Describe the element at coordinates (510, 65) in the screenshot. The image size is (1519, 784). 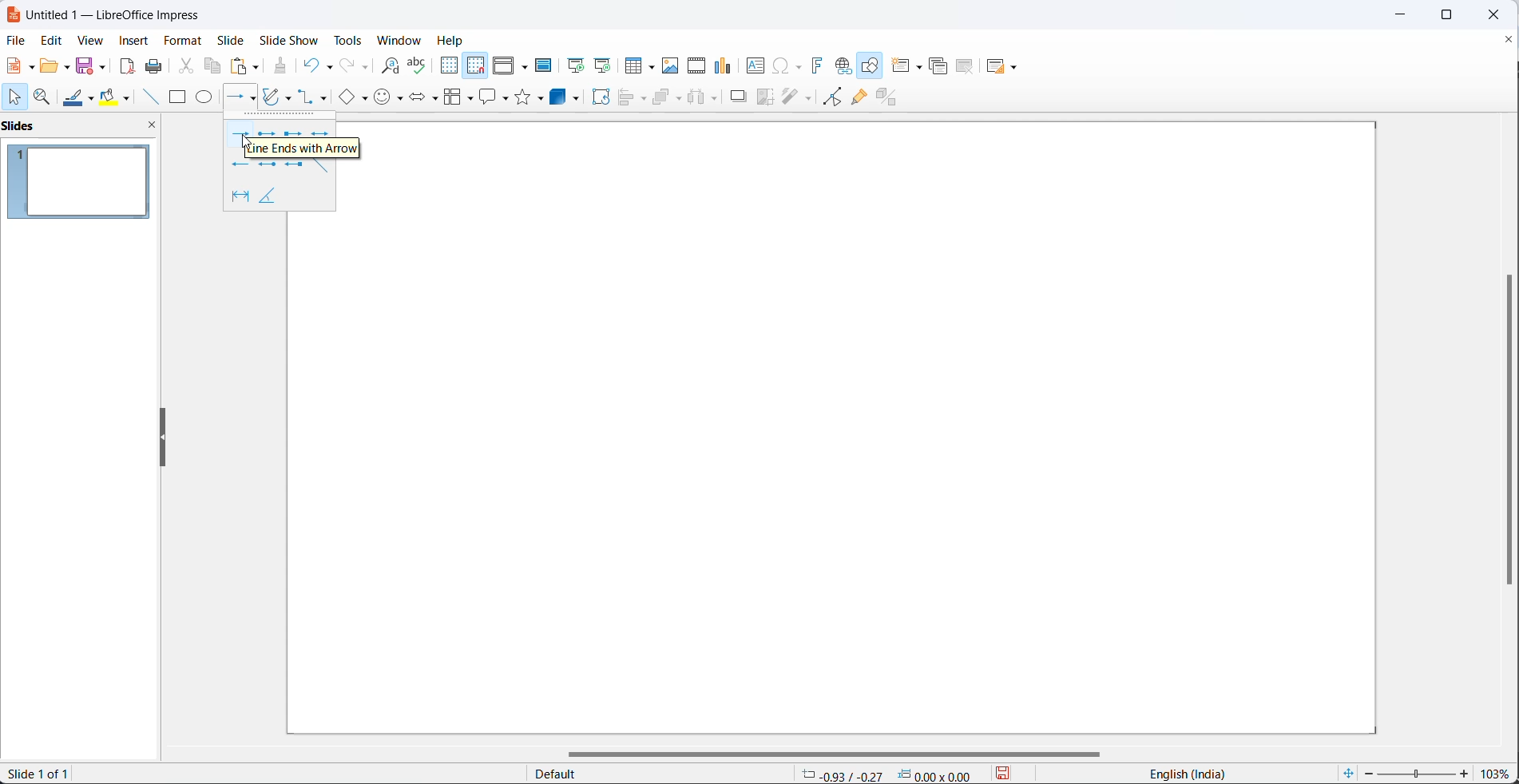
I see `display view` at that location.